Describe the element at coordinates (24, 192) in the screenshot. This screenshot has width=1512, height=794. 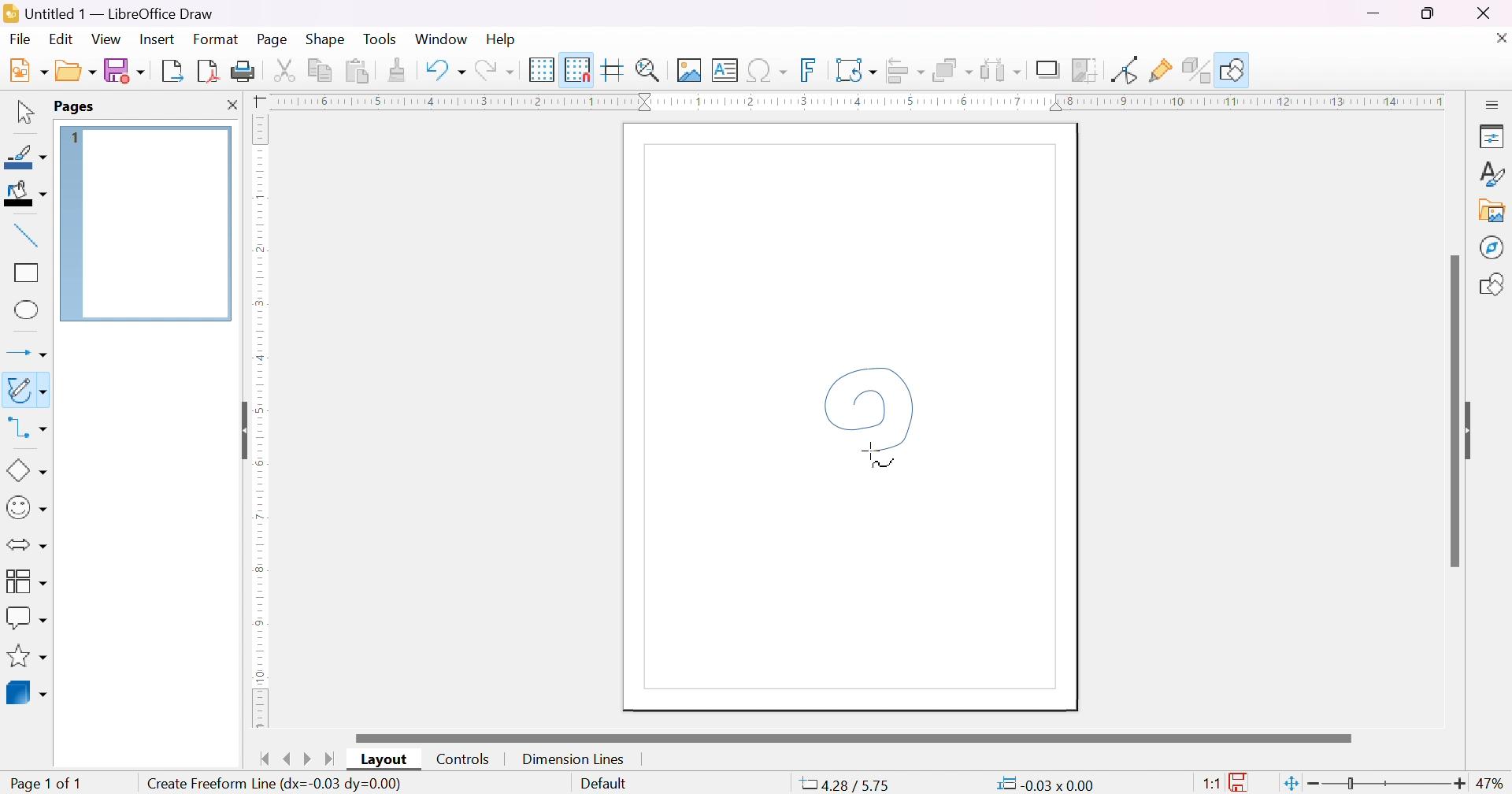
I see `fill color` at that location.